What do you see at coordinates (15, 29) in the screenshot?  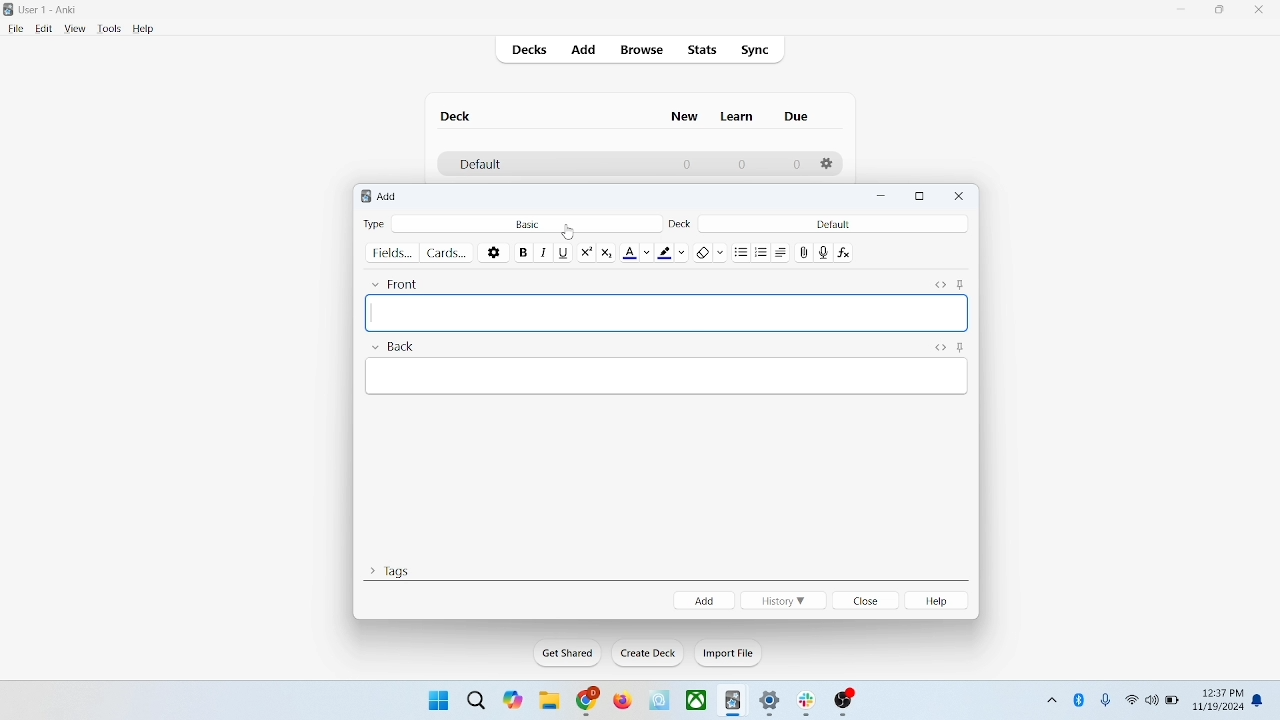 I see `file` at bounding box center [15, 29].